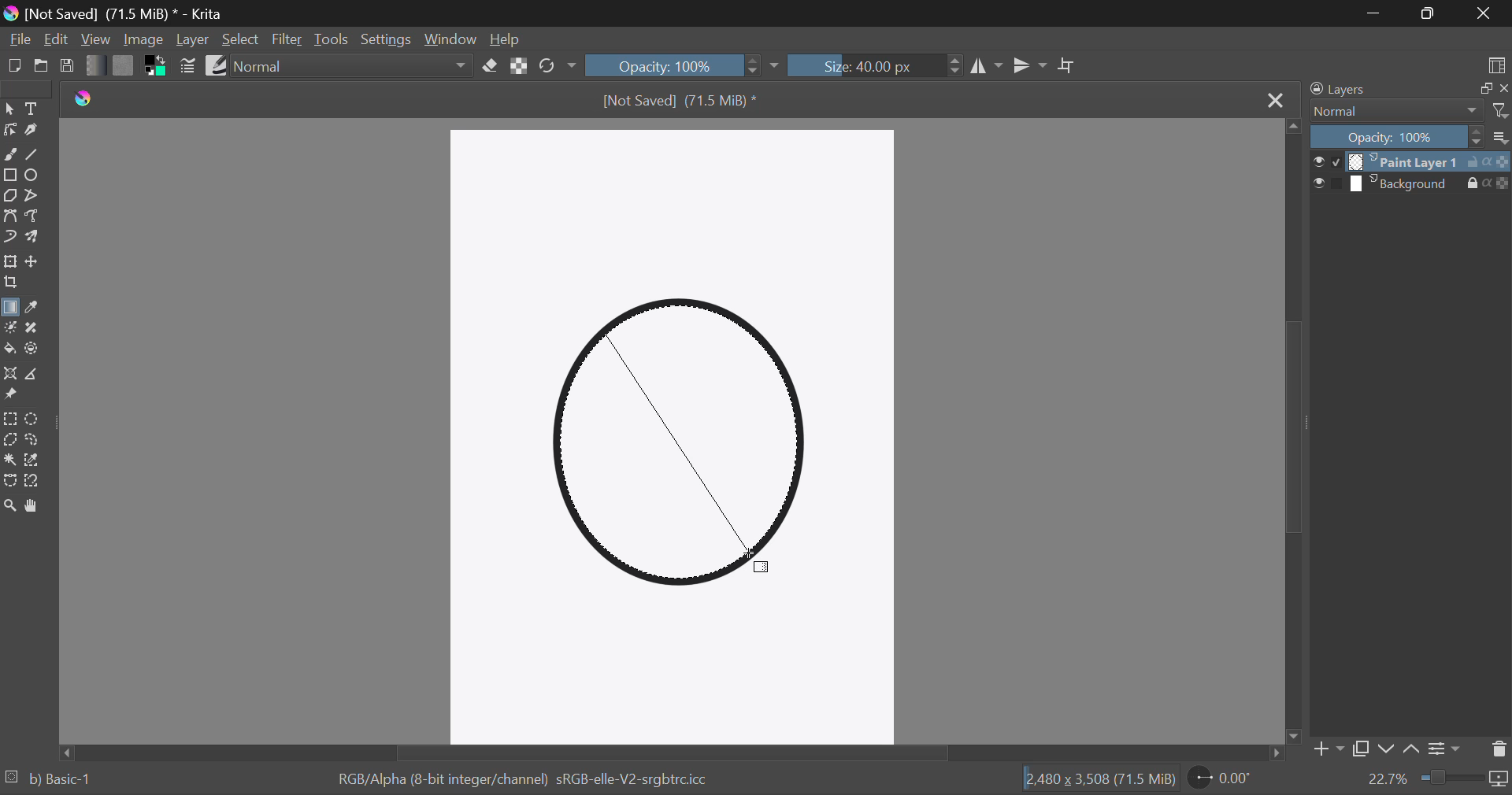 The image size is (1512, 795). I want to click on Brush Settings, so click(188, 67).